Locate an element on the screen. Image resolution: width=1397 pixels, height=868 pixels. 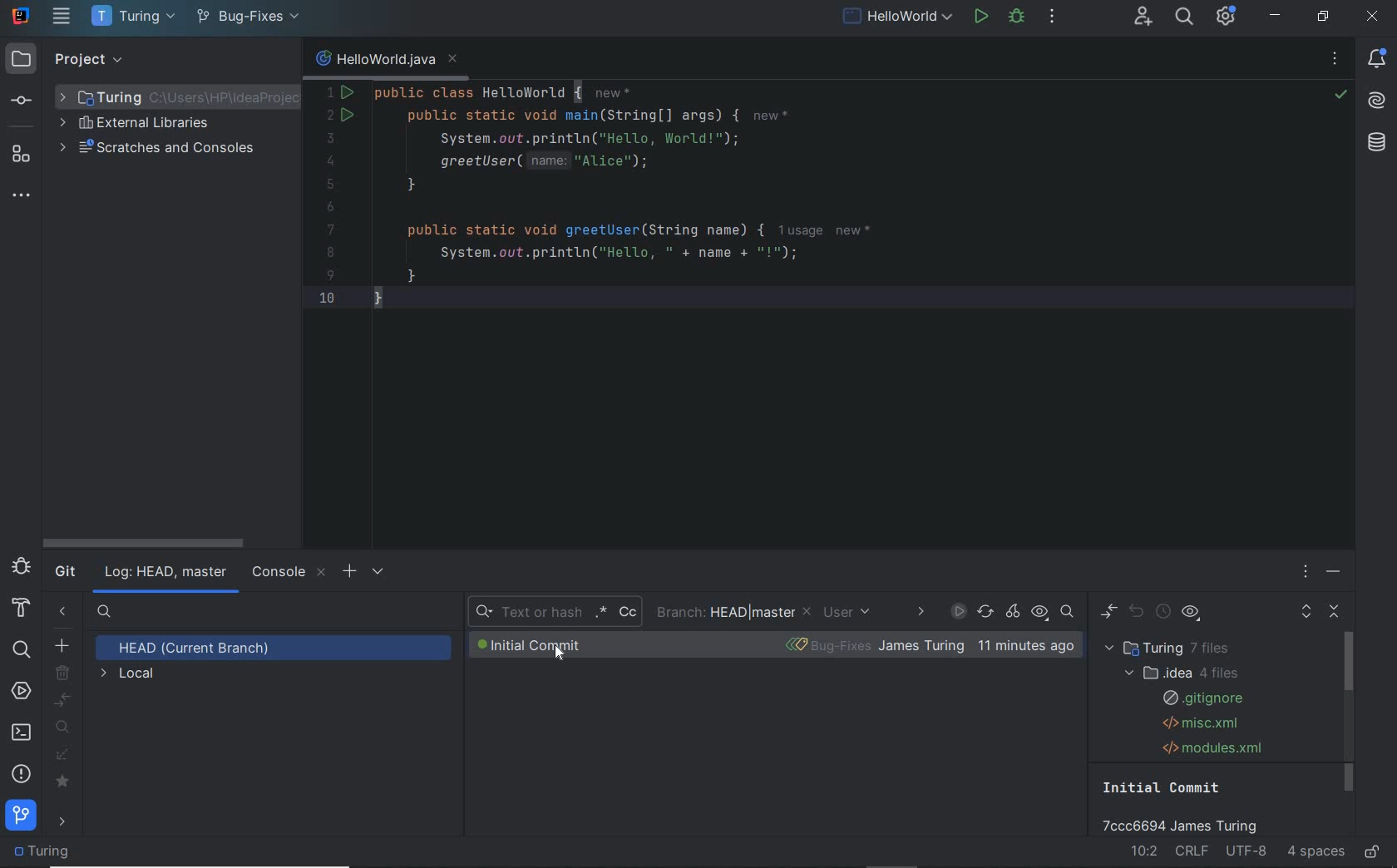
debug is located at coordinates (1016, 18).